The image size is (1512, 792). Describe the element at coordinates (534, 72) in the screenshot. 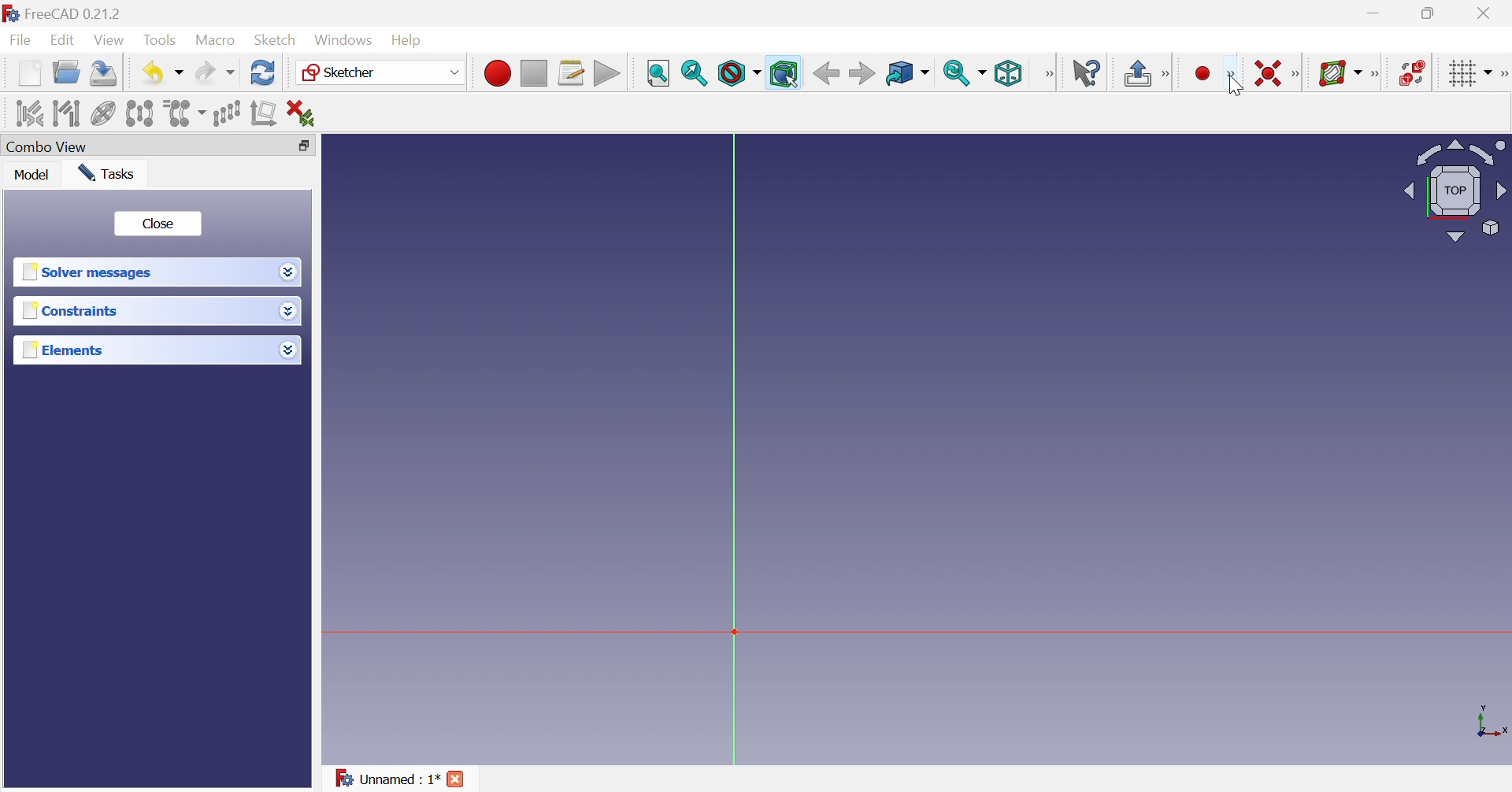

I see `Stop macro recording` at that location.